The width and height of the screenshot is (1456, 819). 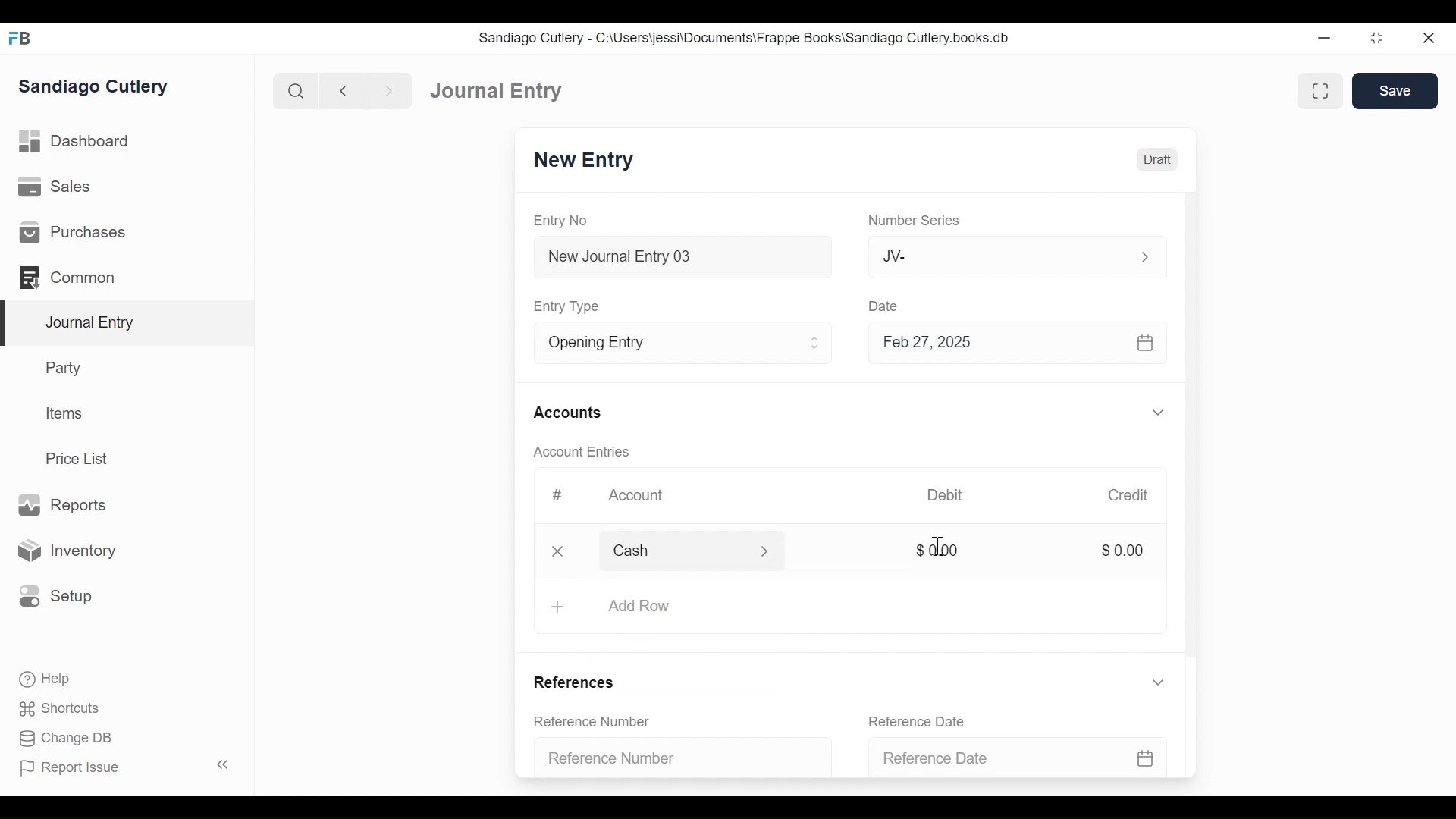 What do you see at coordinates (580, 452) in the screenshot?
I see `Account Entries` at bounding box center [580, 452].